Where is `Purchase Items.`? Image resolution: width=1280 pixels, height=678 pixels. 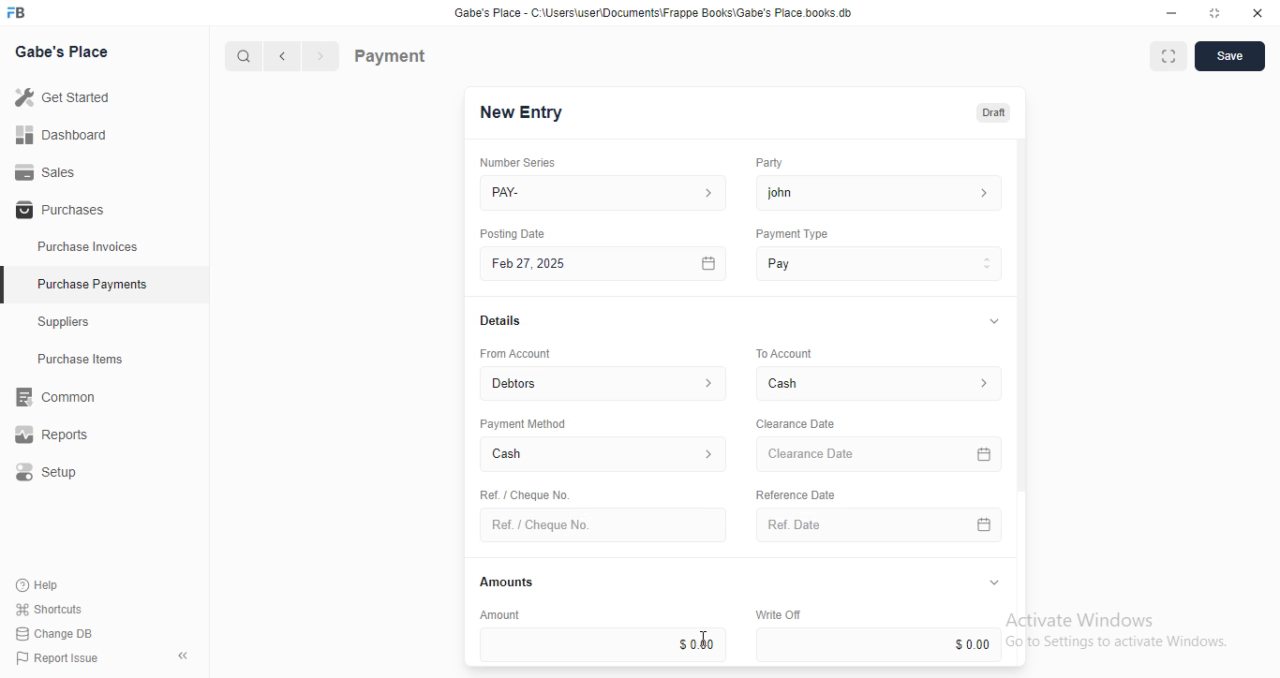 Purchase Items. is located at coordinates (87, 361).